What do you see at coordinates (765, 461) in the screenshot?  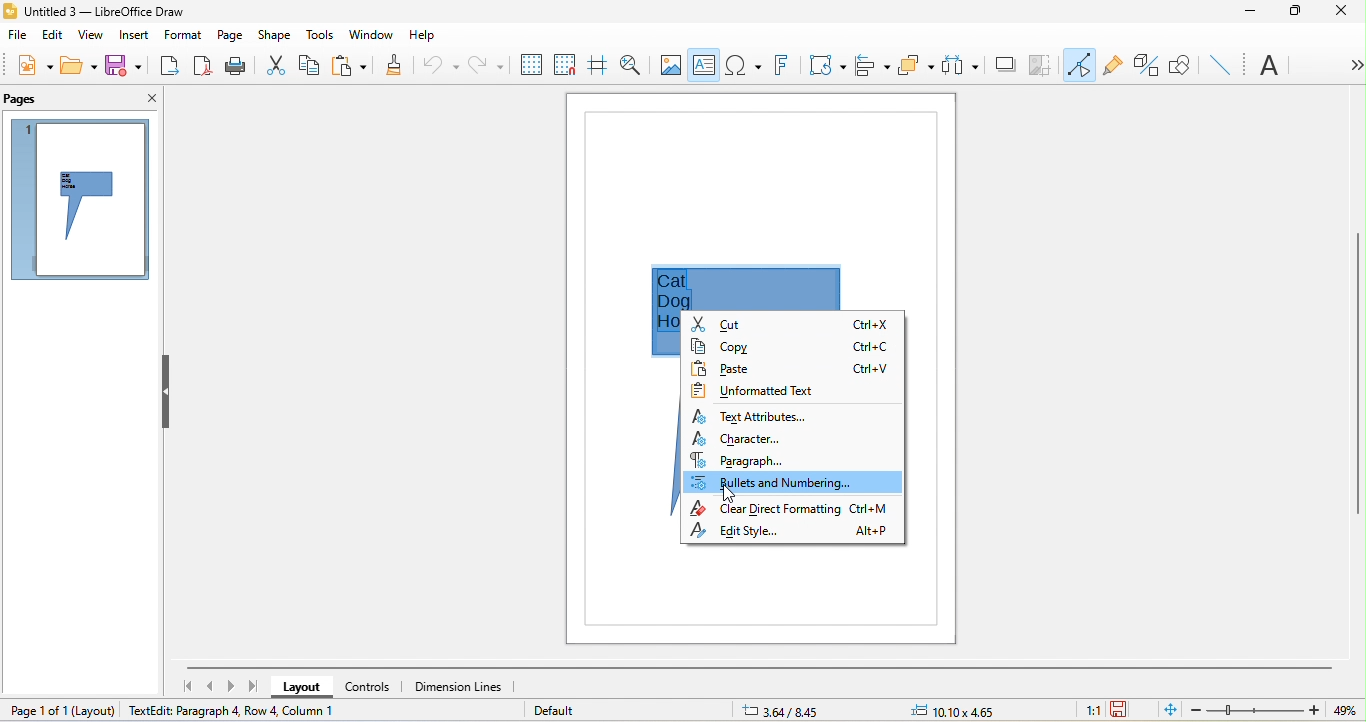 I see `paragraph` at bounding box center [765, 461].